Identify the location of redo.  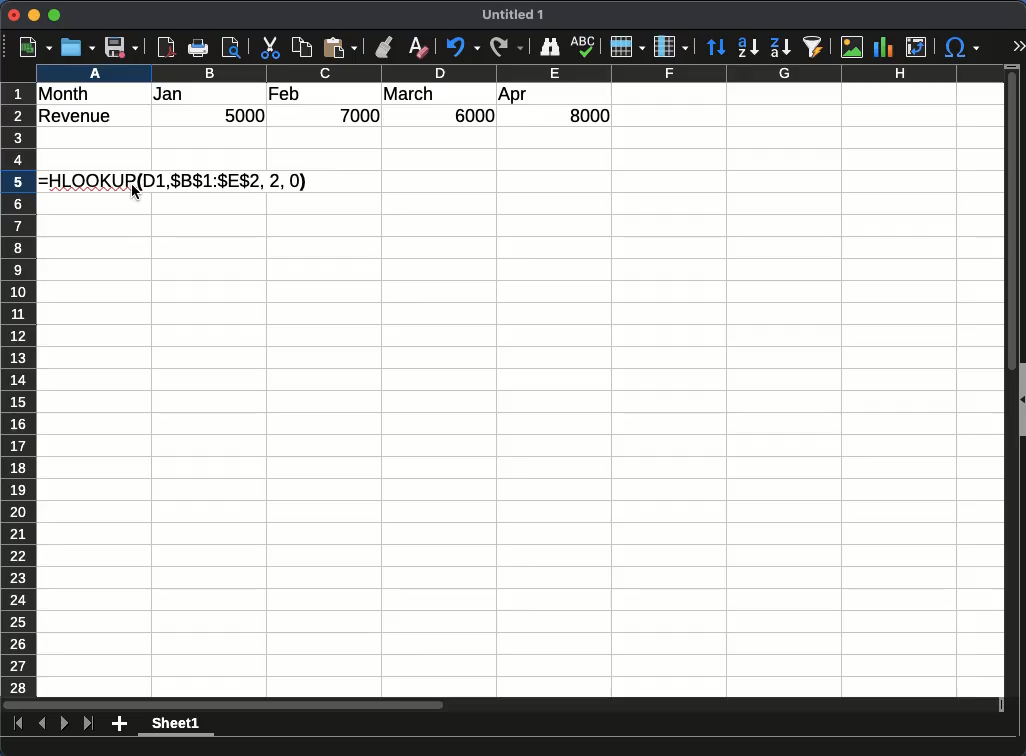
(507, 47).